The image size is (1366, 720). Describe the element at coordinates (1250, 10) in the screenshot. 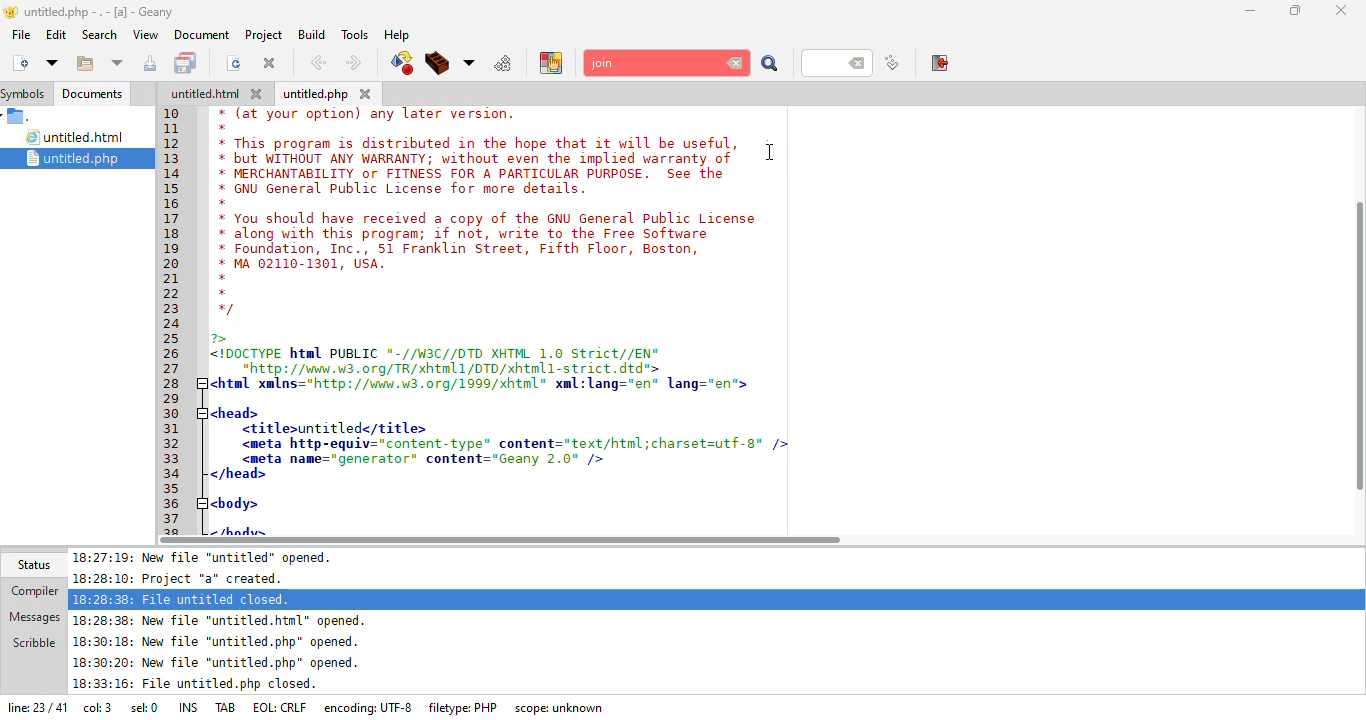

I see `minimize` at that location.